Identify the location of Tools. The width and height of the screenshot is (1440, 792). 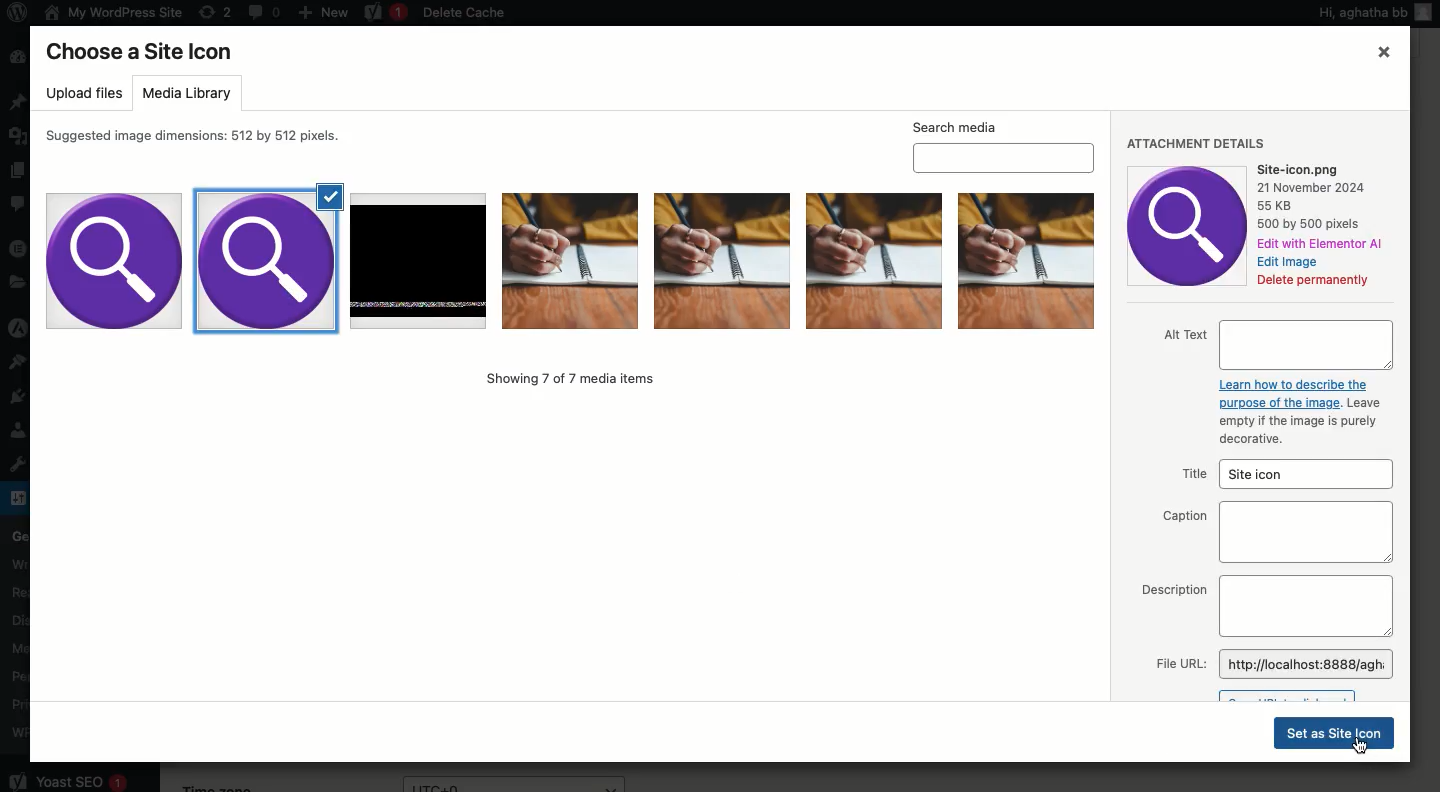
(20, 462).